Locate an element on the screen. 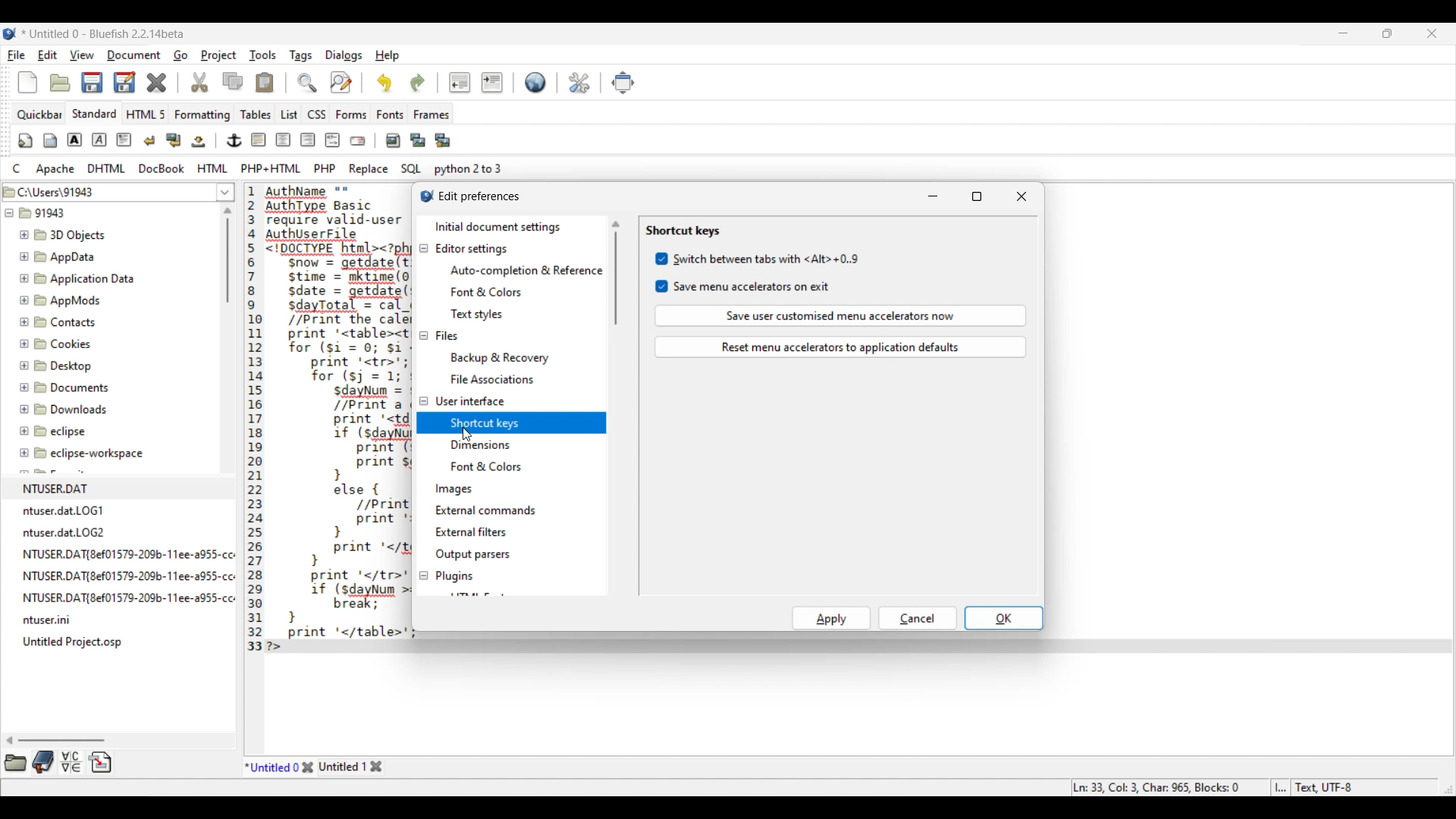 This screenshot has width=1456, height=819.  3D Objects. is located at coordinates (64, 236).